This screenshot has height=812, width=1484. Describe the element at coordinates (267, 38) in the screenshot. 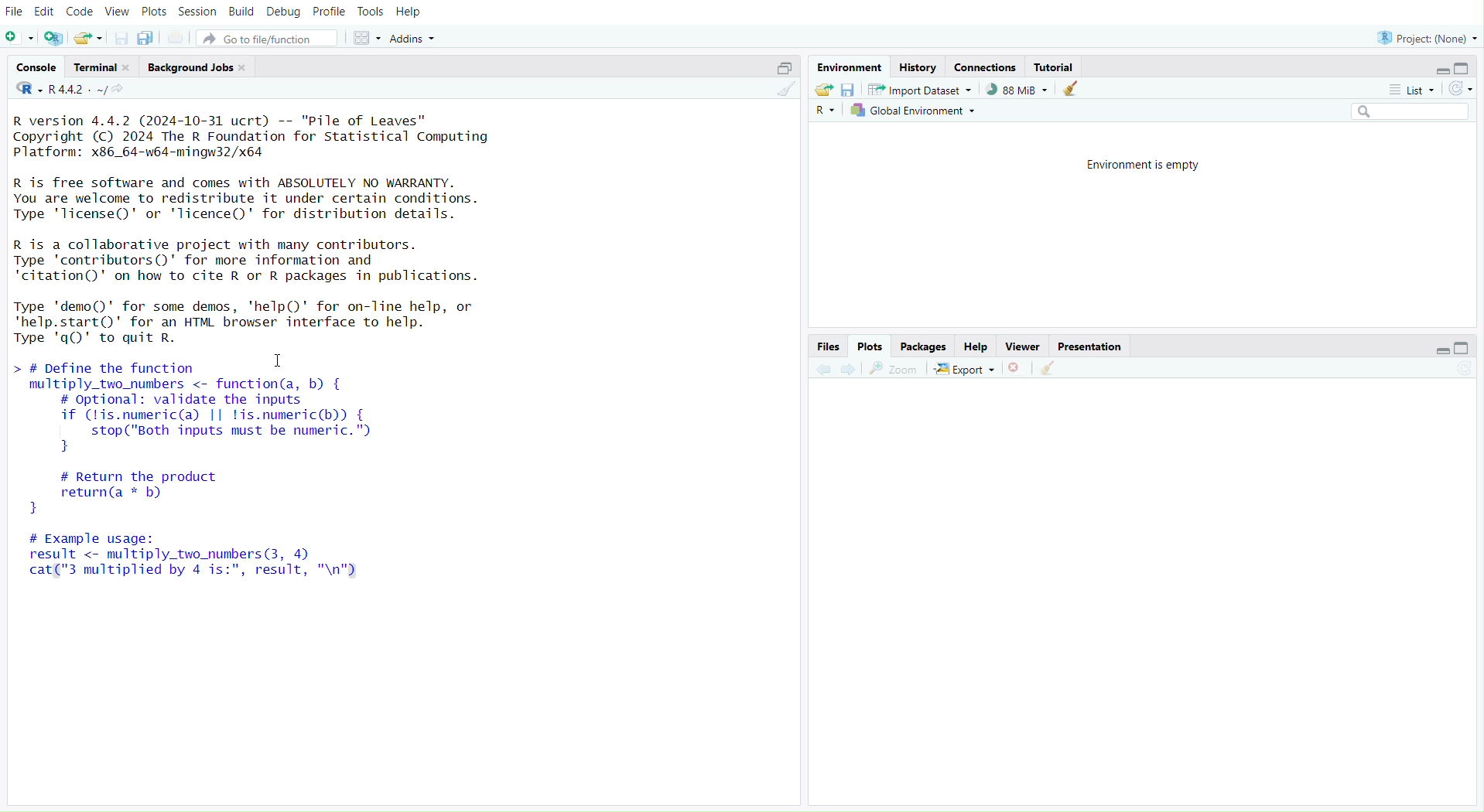

I see `Go to file/function` at that location.